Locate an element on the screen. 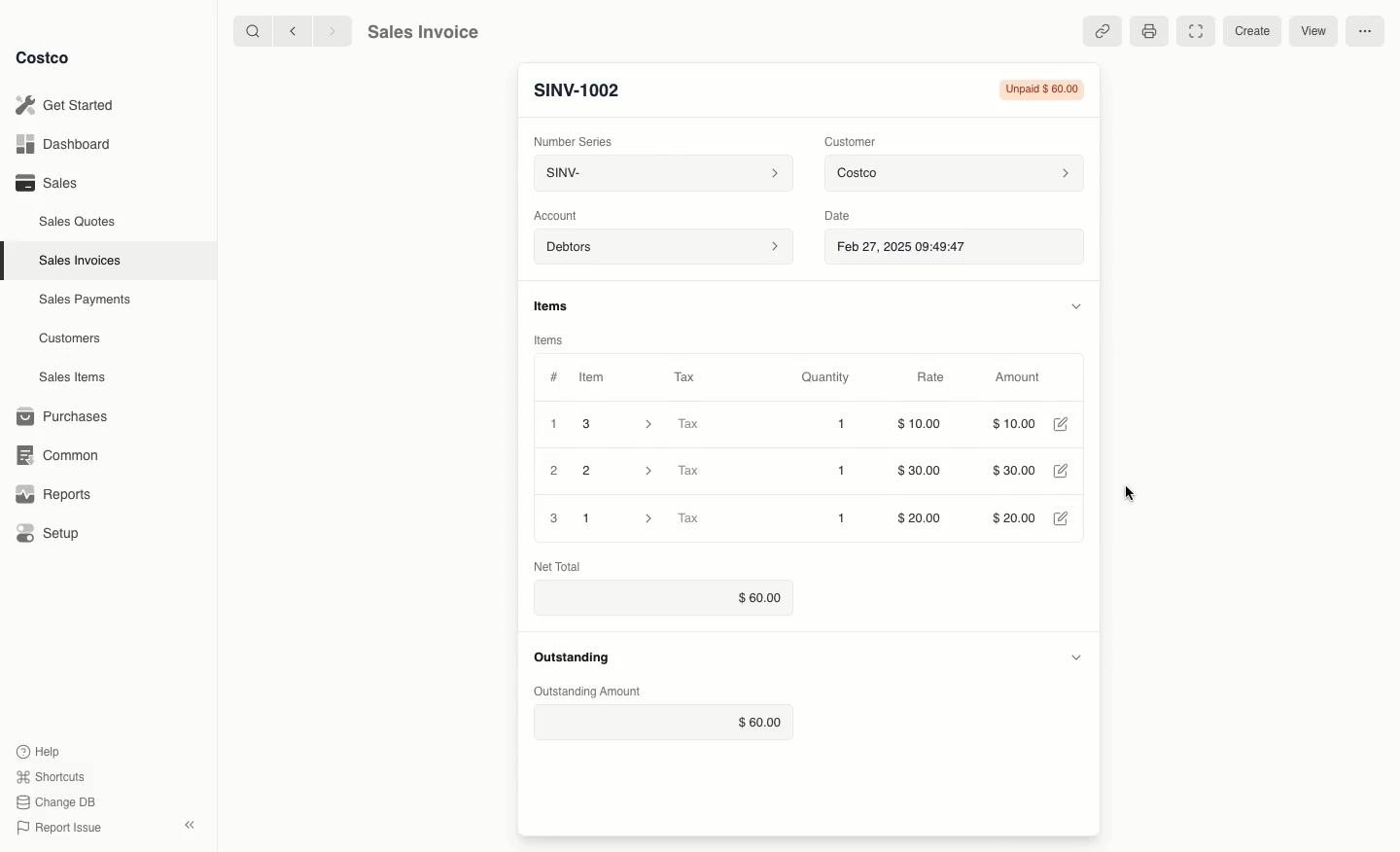  Get Started is located at coordinates (68, 105).